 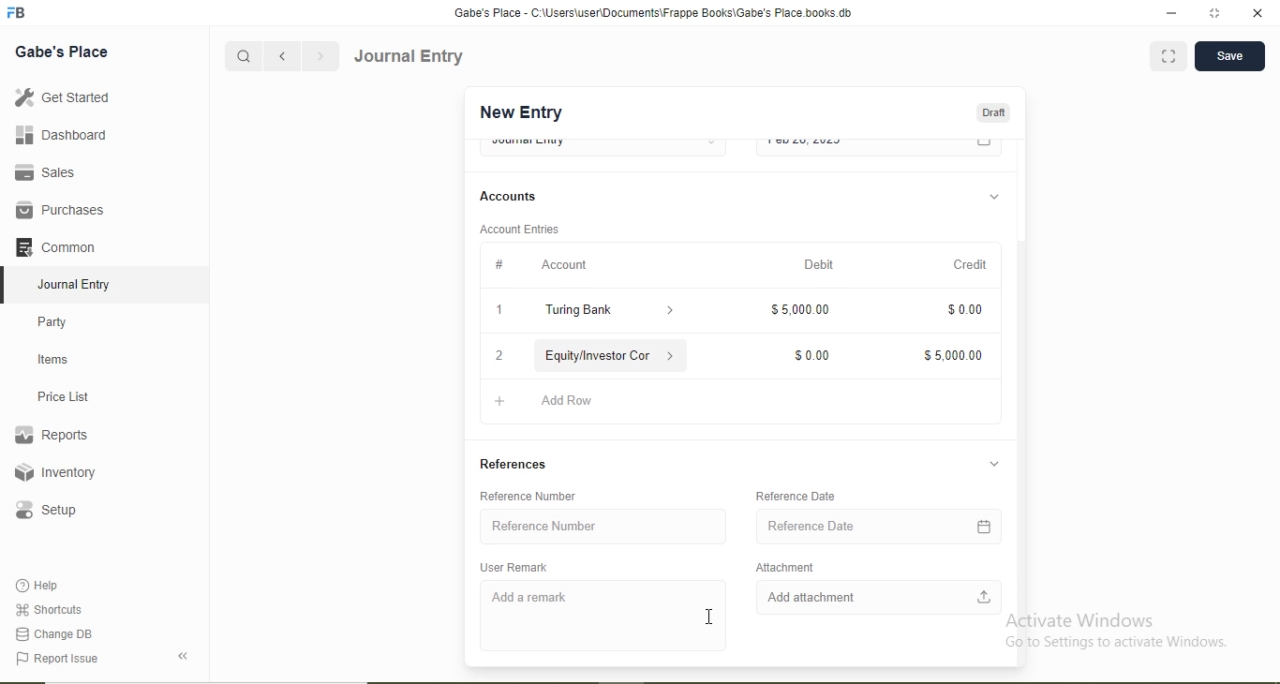 What do you see at coordinates (62, 134) in the screenshot?
I see `Dashboard` at bounding box center [62, 134].